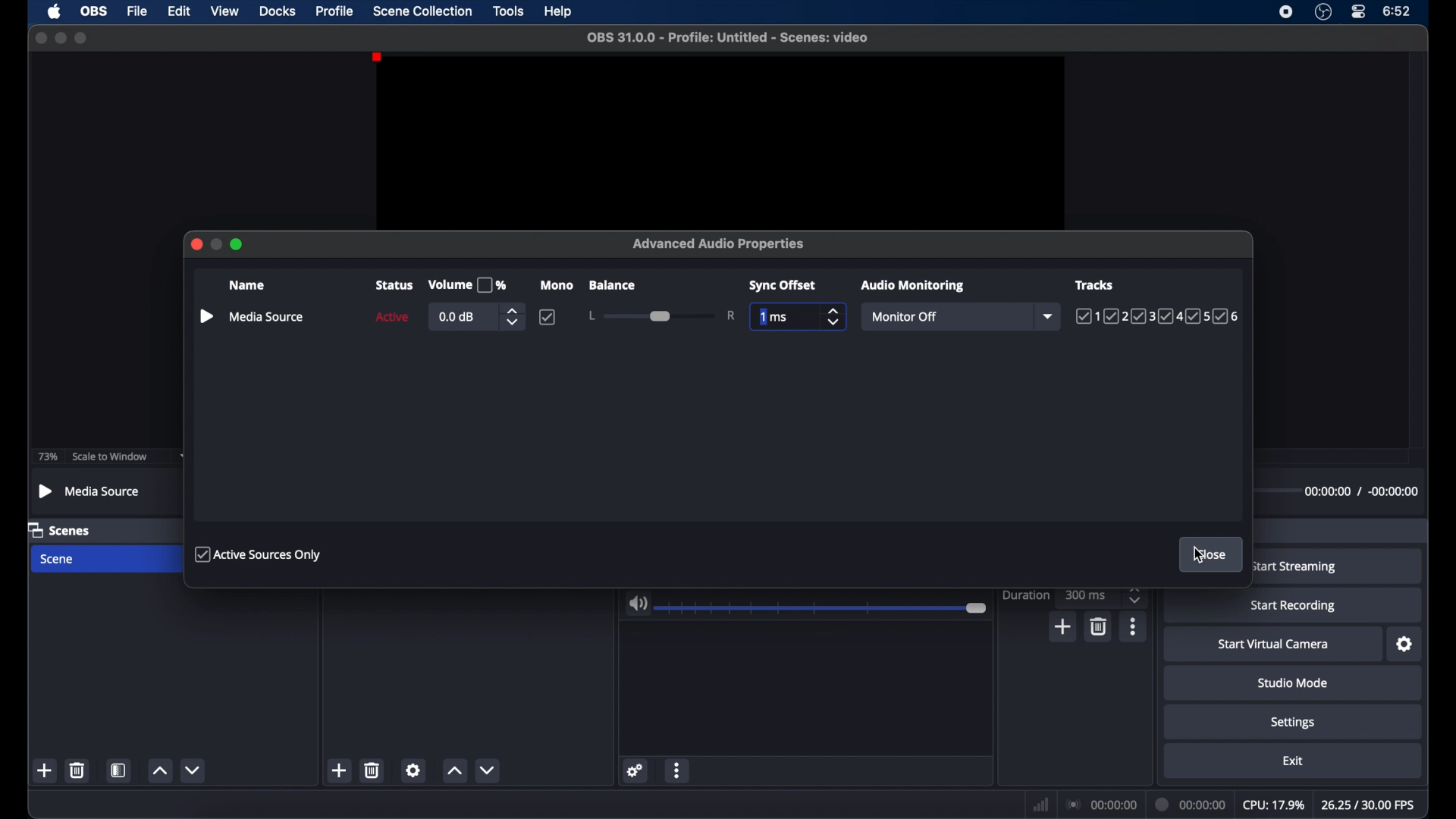  What do you see at coordinates (193, 770) in the screenshot?
I see `decrement` at bounding box center [193, 770].